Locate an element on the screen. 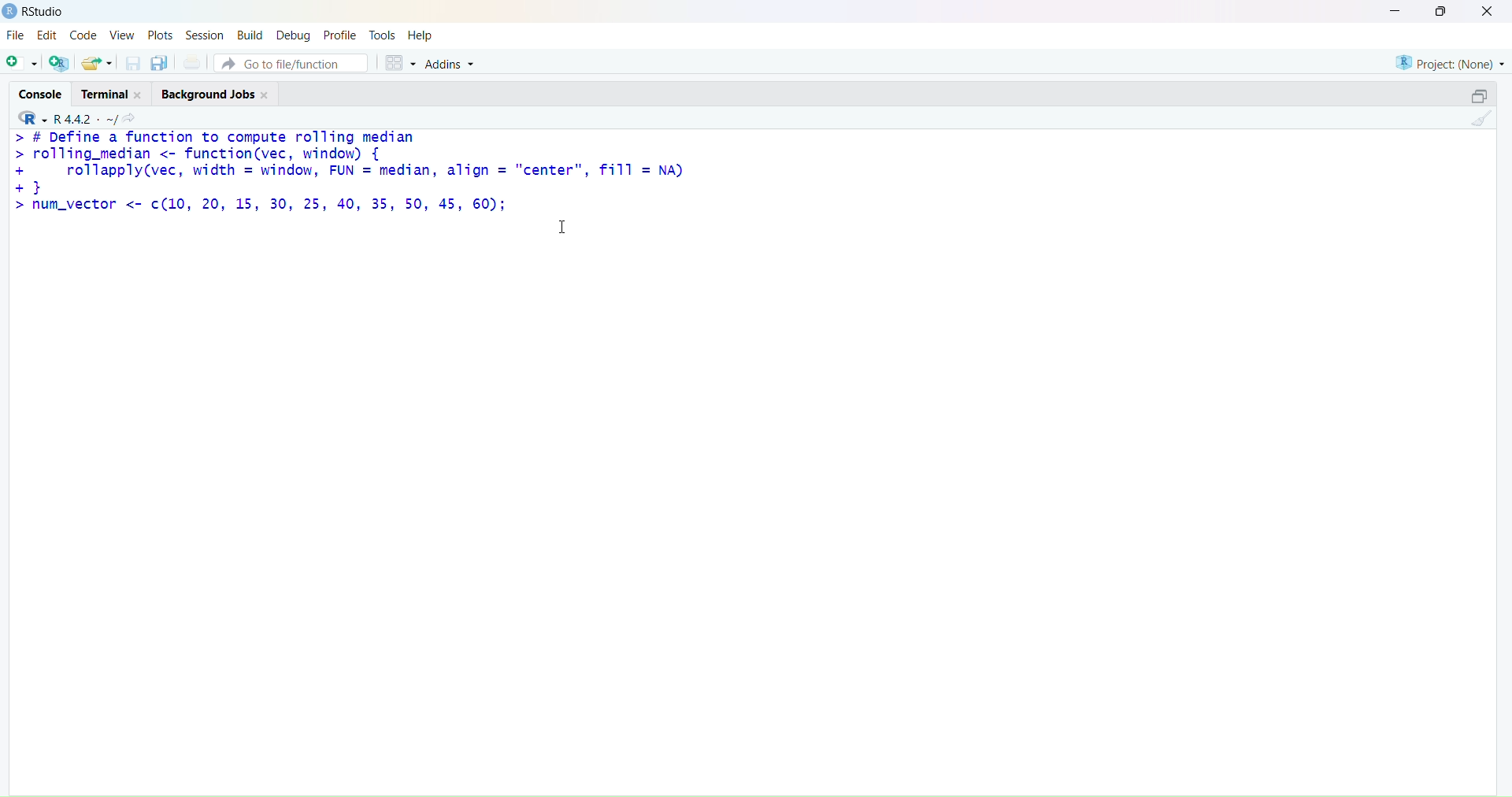  go to file/function is located at coordinates (293, 64).